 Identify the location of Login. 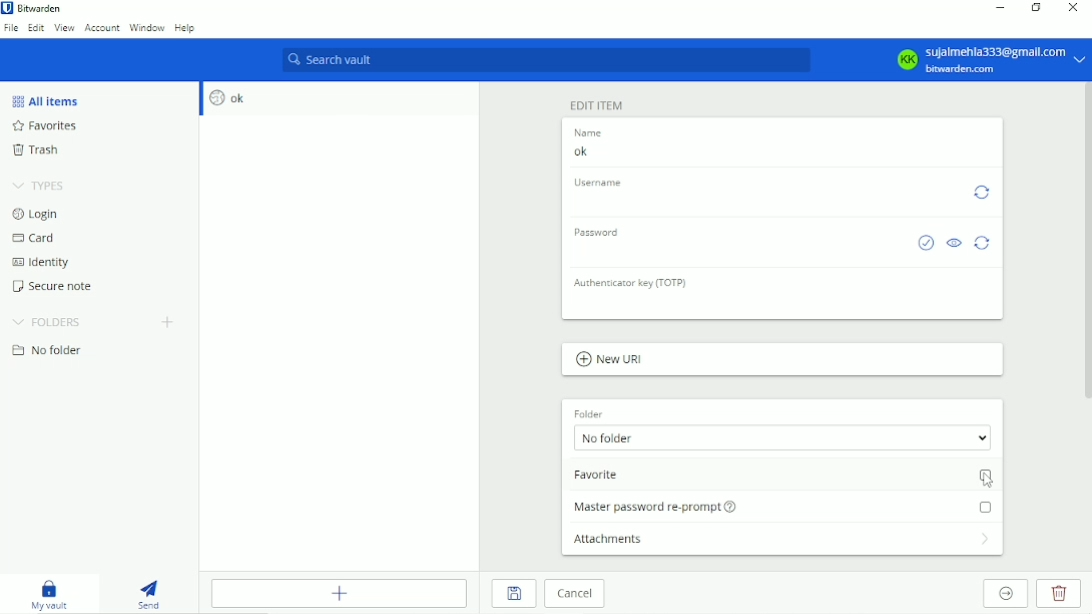
(37, 214).